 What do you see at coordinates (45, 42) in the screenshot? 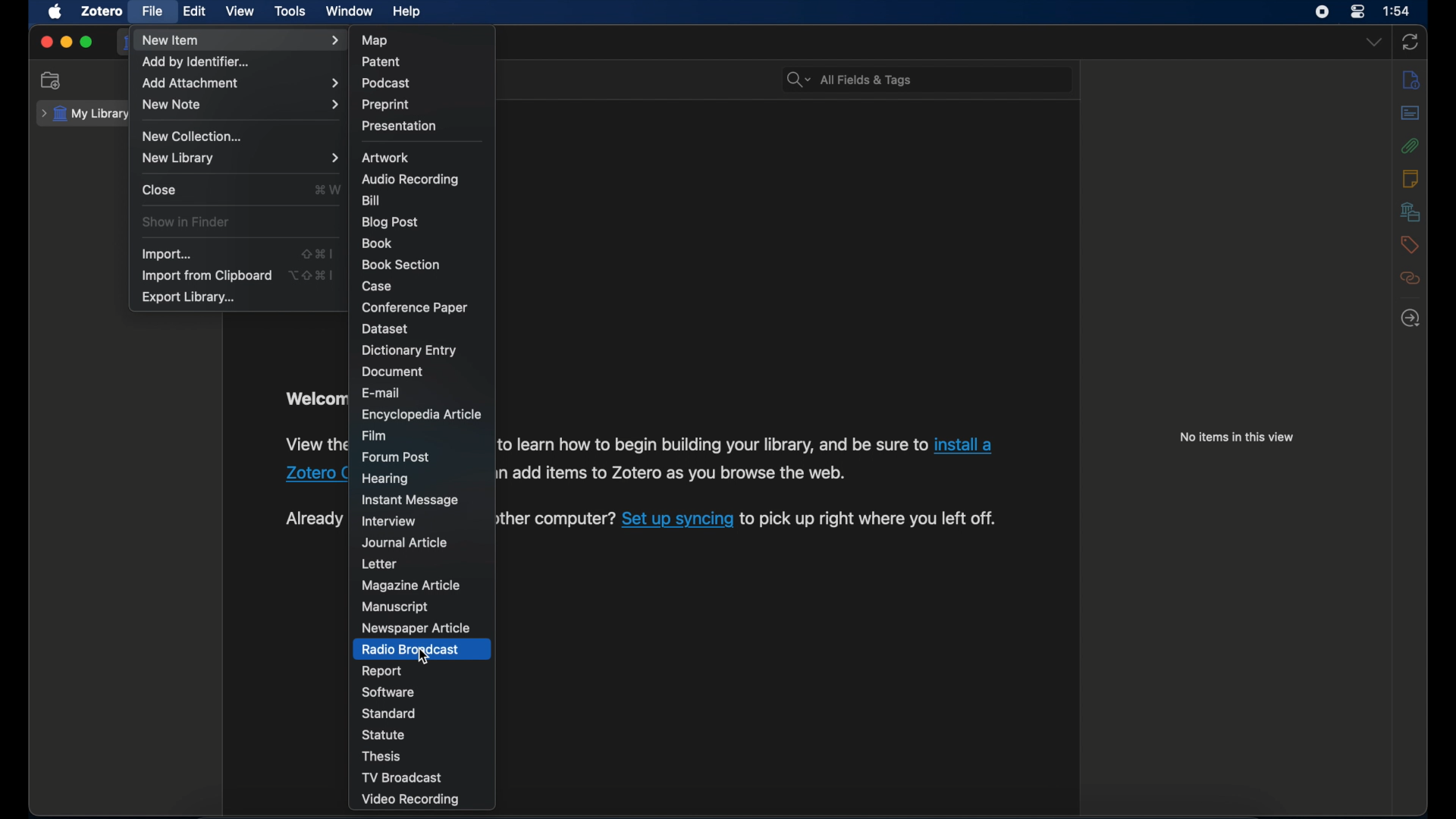
I see `close` at bounding box center [45, 42].